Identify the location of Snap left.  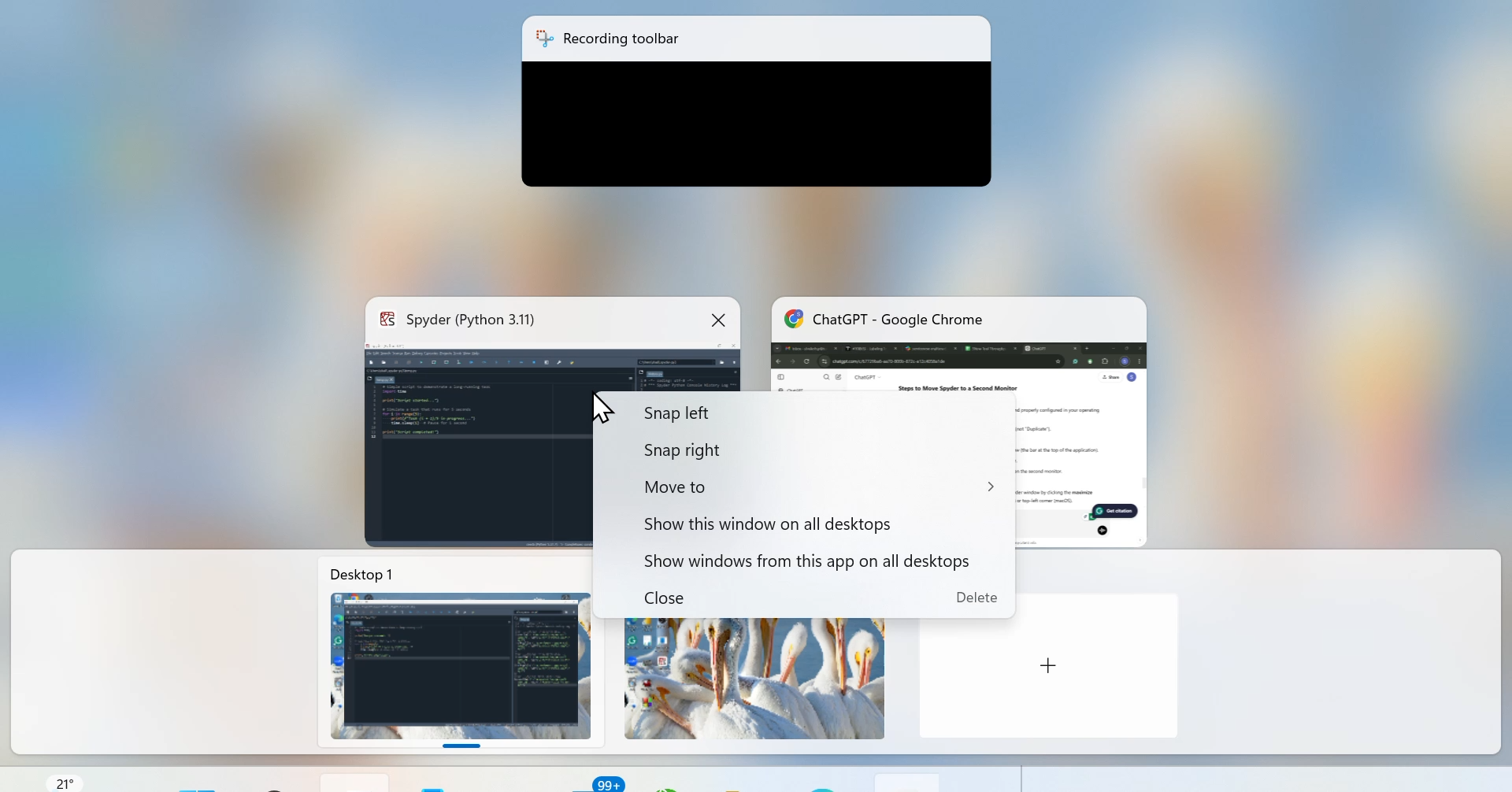
(754, 414).